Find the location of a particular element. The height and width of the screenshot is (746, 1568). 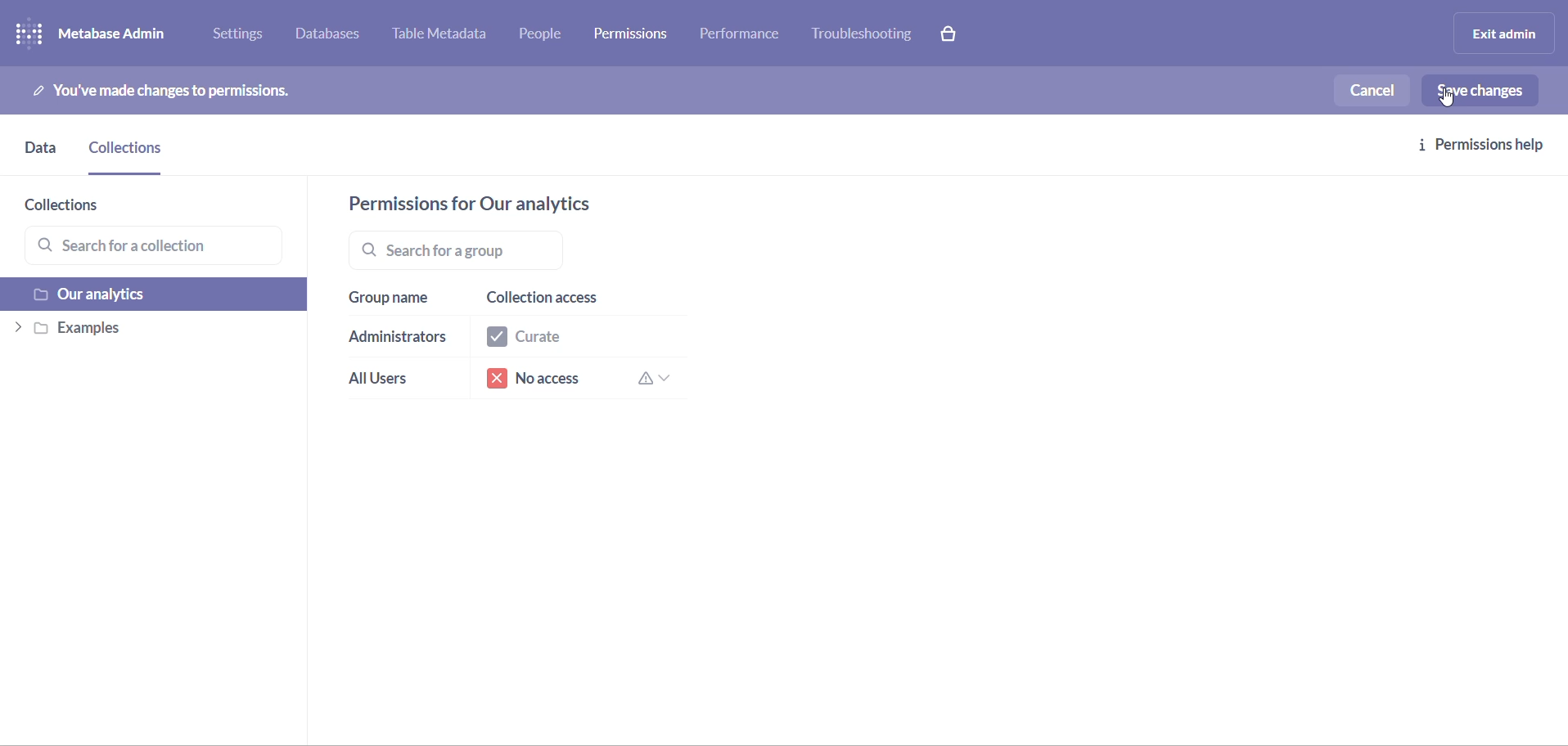

searchbar is located at coordinates (453, 250).